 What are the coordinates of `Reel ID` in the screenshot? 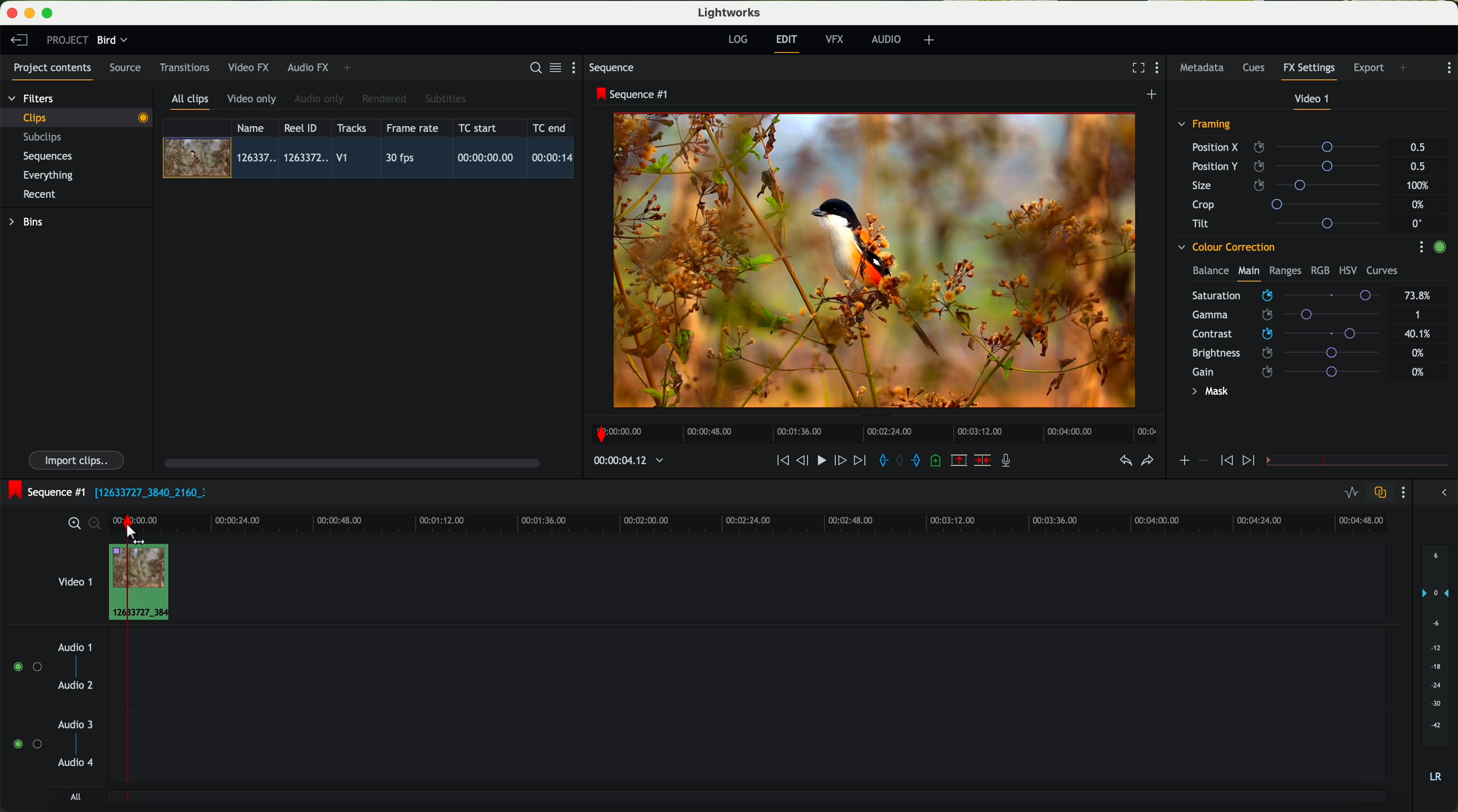 It's located at (303, 127).